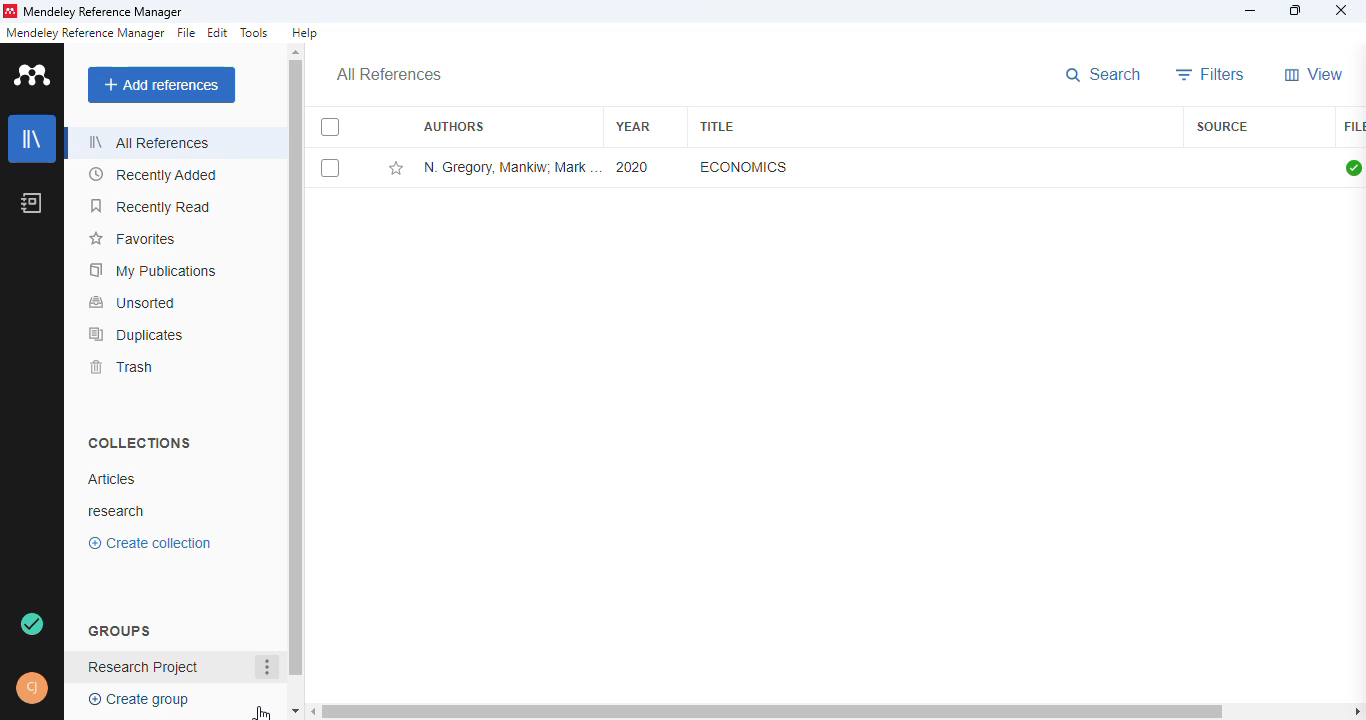 This screenshot has height=720, width=1366. I want to click on close, so click(1343, 11).